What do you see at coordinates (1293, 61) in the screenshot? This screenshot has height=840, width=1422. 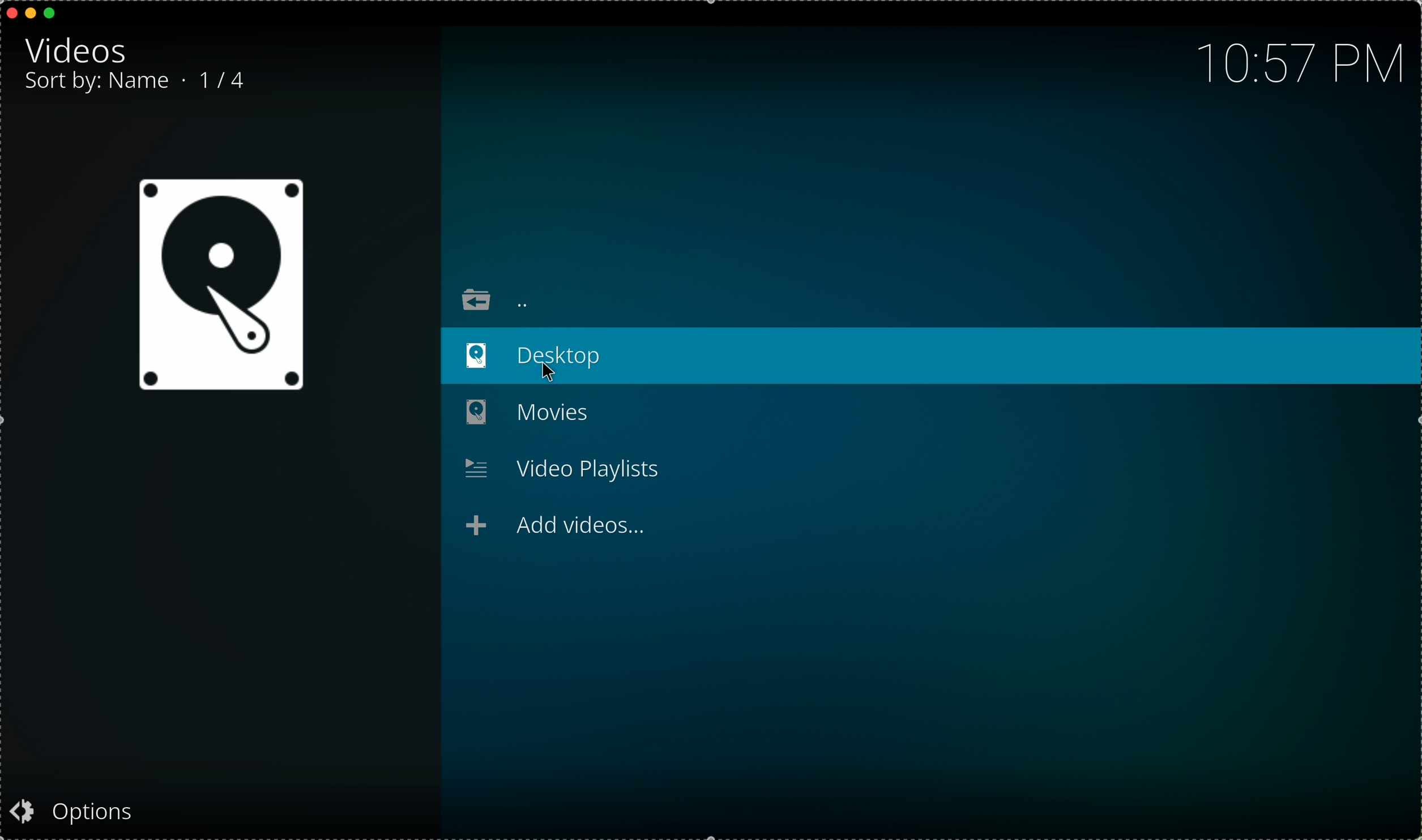 I see `10:57 PM` at bounding box center [1293, 61].